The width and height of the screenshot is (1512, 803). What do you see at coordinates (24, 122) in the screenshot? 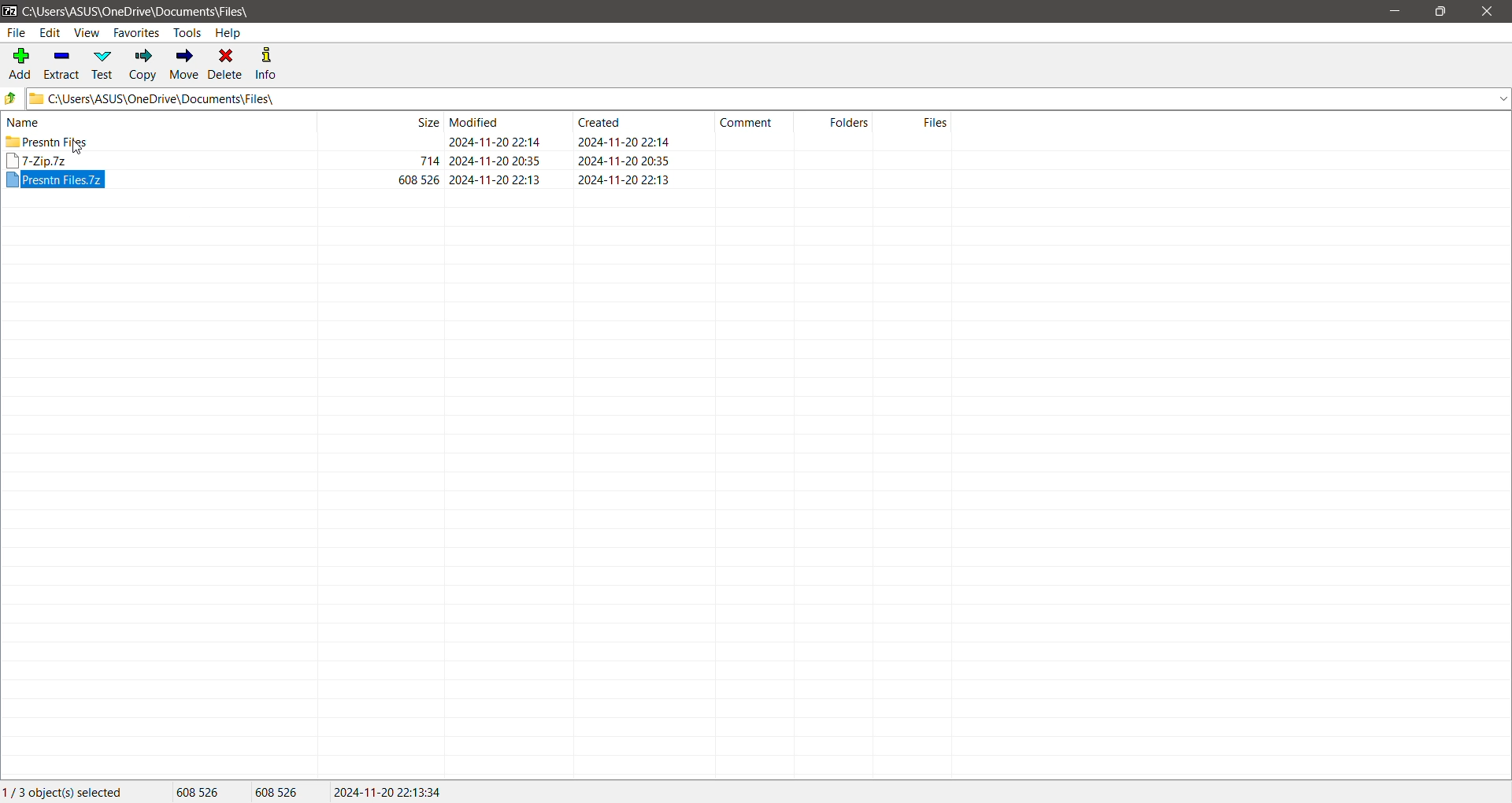
I see `name` at bounding box center [24, 122].